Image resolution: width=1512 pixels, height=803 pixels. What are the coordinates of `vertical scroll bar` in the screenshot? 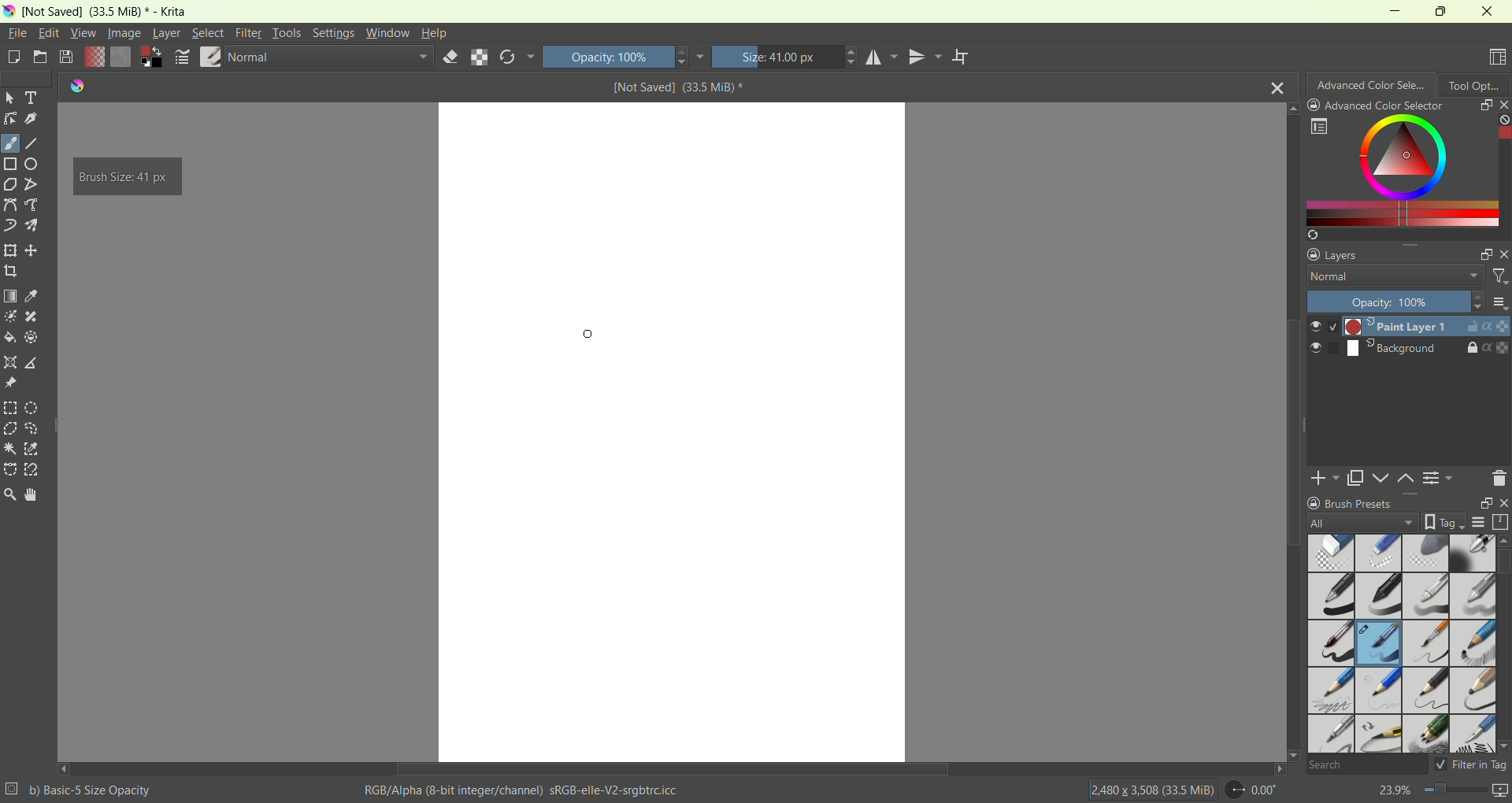 It's located at (1290, 431).